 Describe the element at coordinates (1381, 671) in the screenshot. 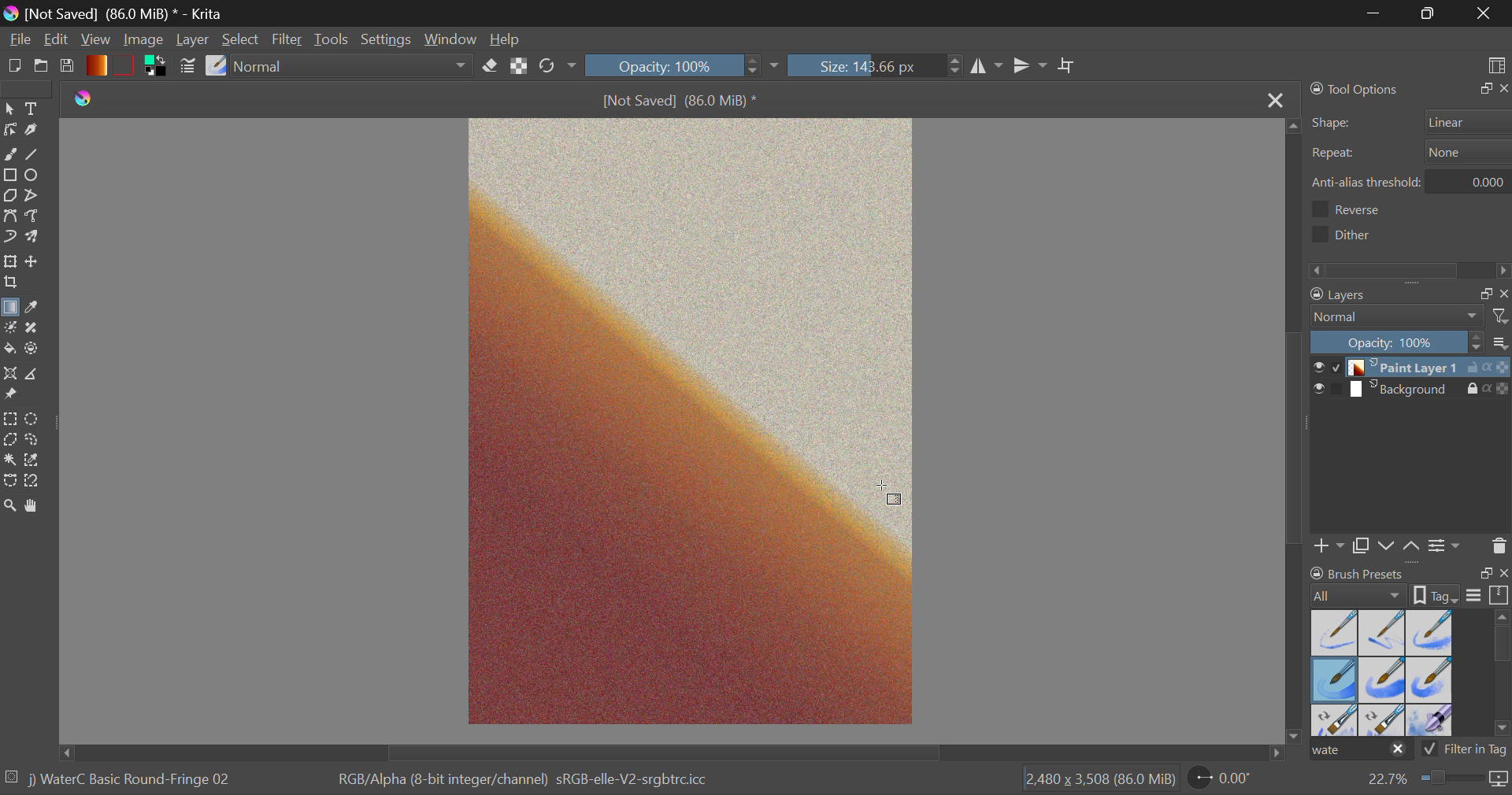

I see `Brush Presets Menu` at that location.